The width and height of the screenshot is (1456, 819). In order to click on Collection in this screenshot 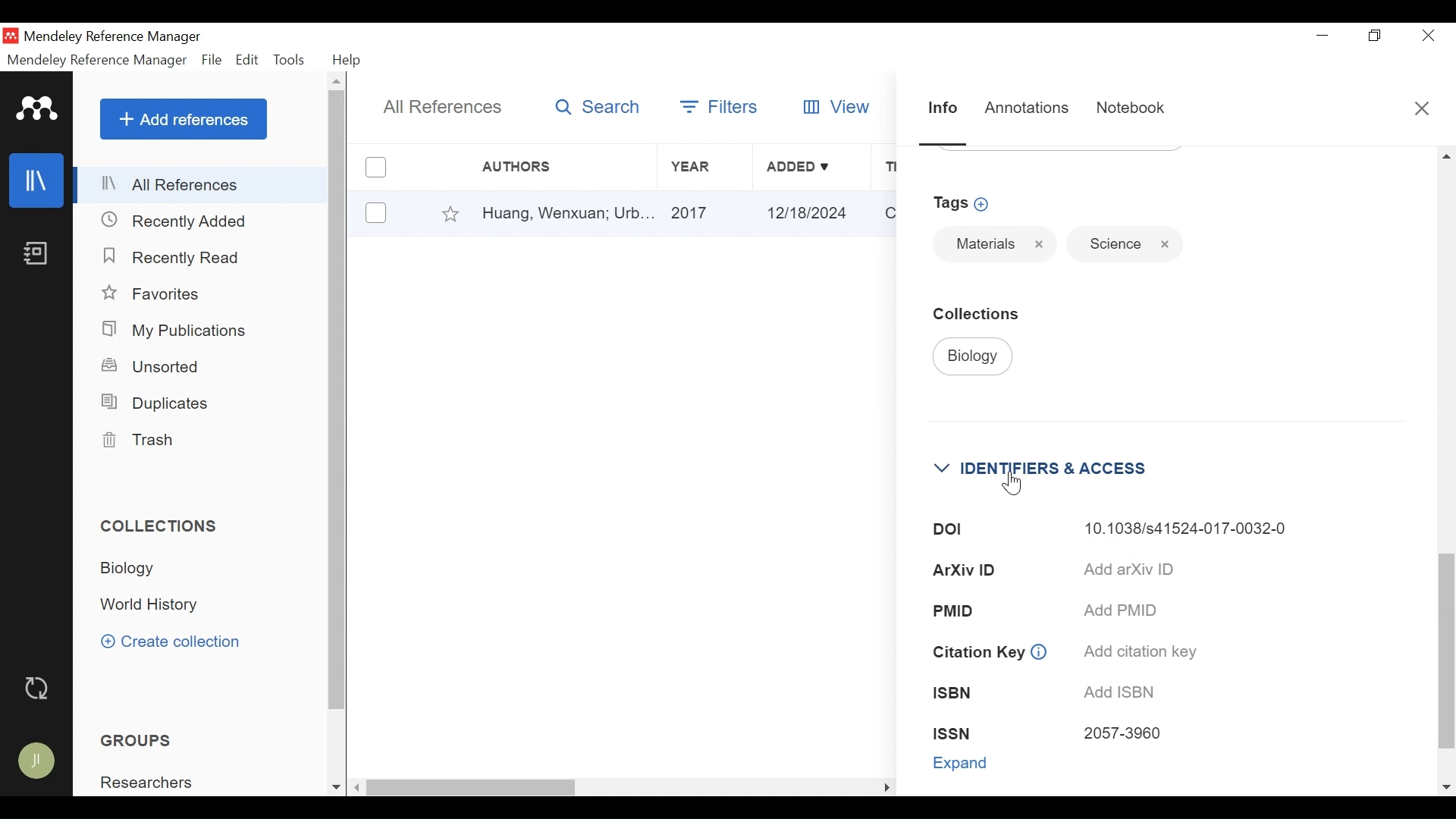, I will do `click(984, 313)`.